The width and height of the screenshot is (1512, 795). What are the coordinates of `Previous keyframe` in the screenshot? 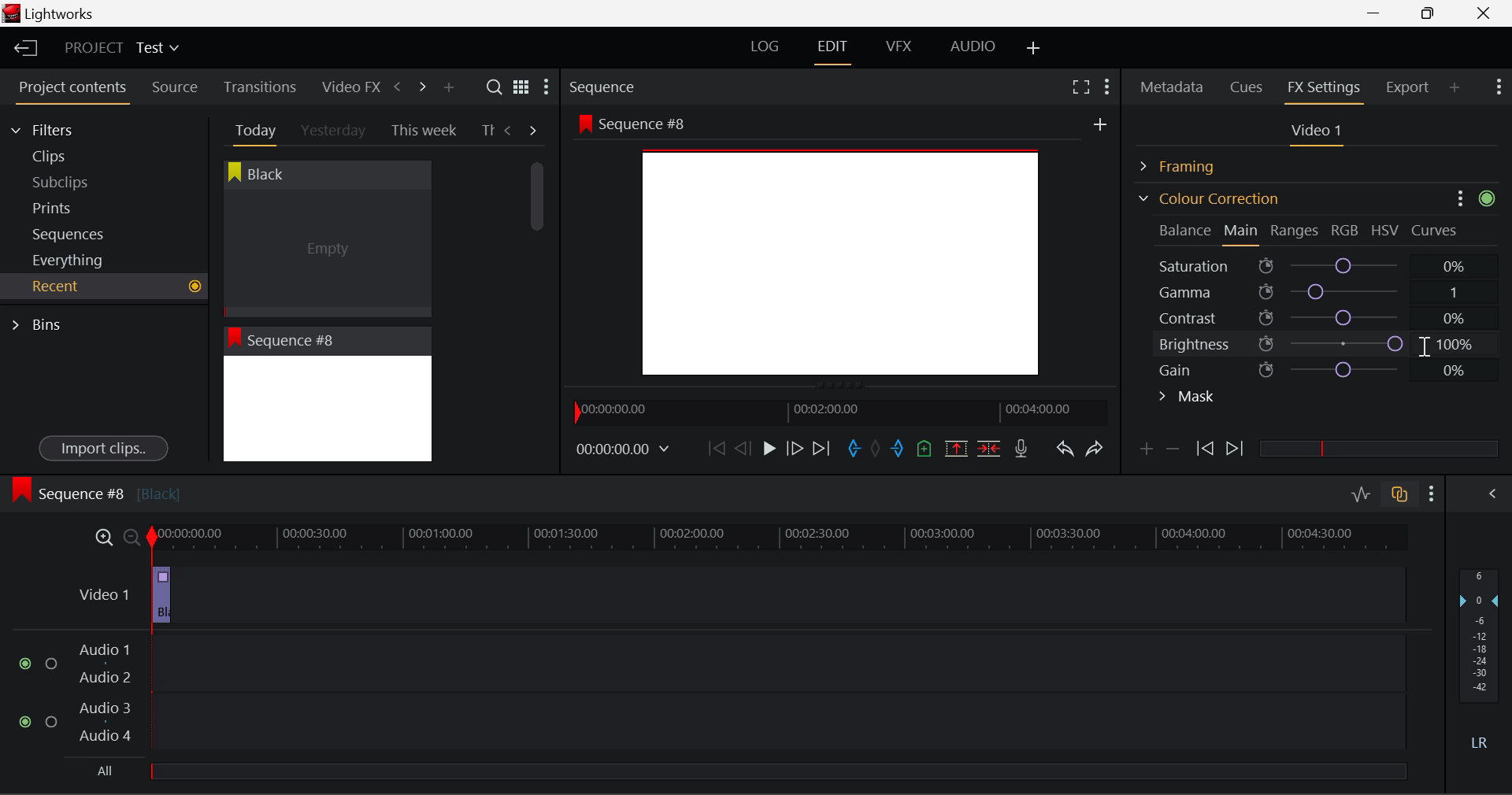 It's located at (1203, 449).